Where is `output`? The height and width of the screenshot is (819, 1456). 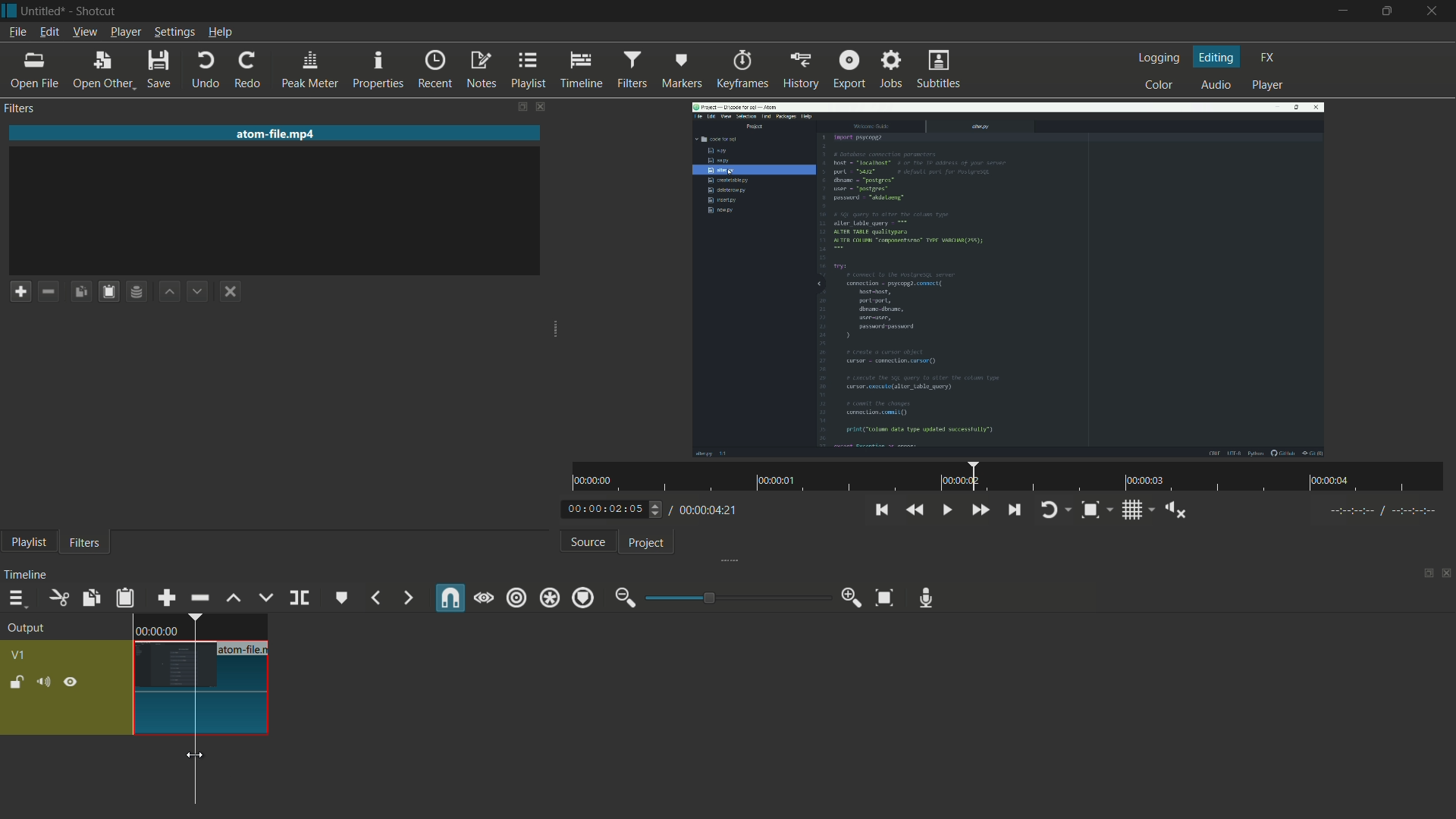 output is located at coordinates (28, 628).